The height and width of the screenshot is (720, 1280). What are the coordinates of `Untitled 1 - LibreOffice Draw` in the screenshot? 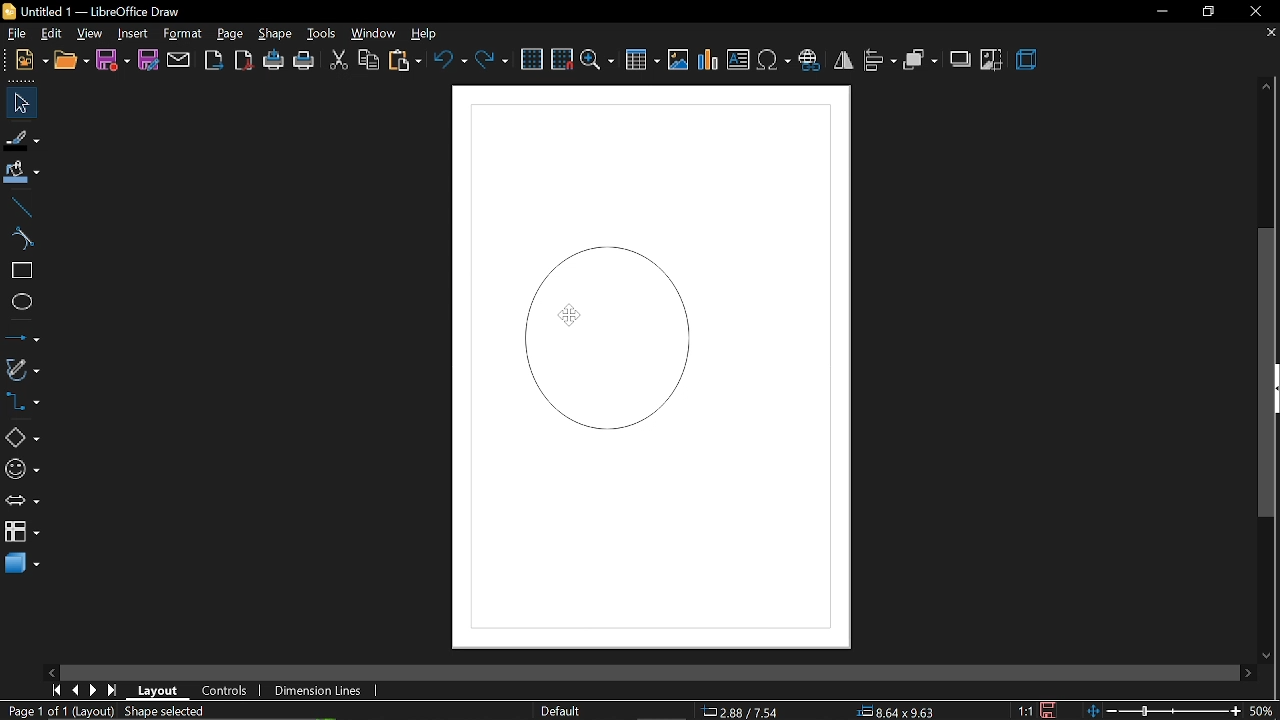 It's located at (93, 11).